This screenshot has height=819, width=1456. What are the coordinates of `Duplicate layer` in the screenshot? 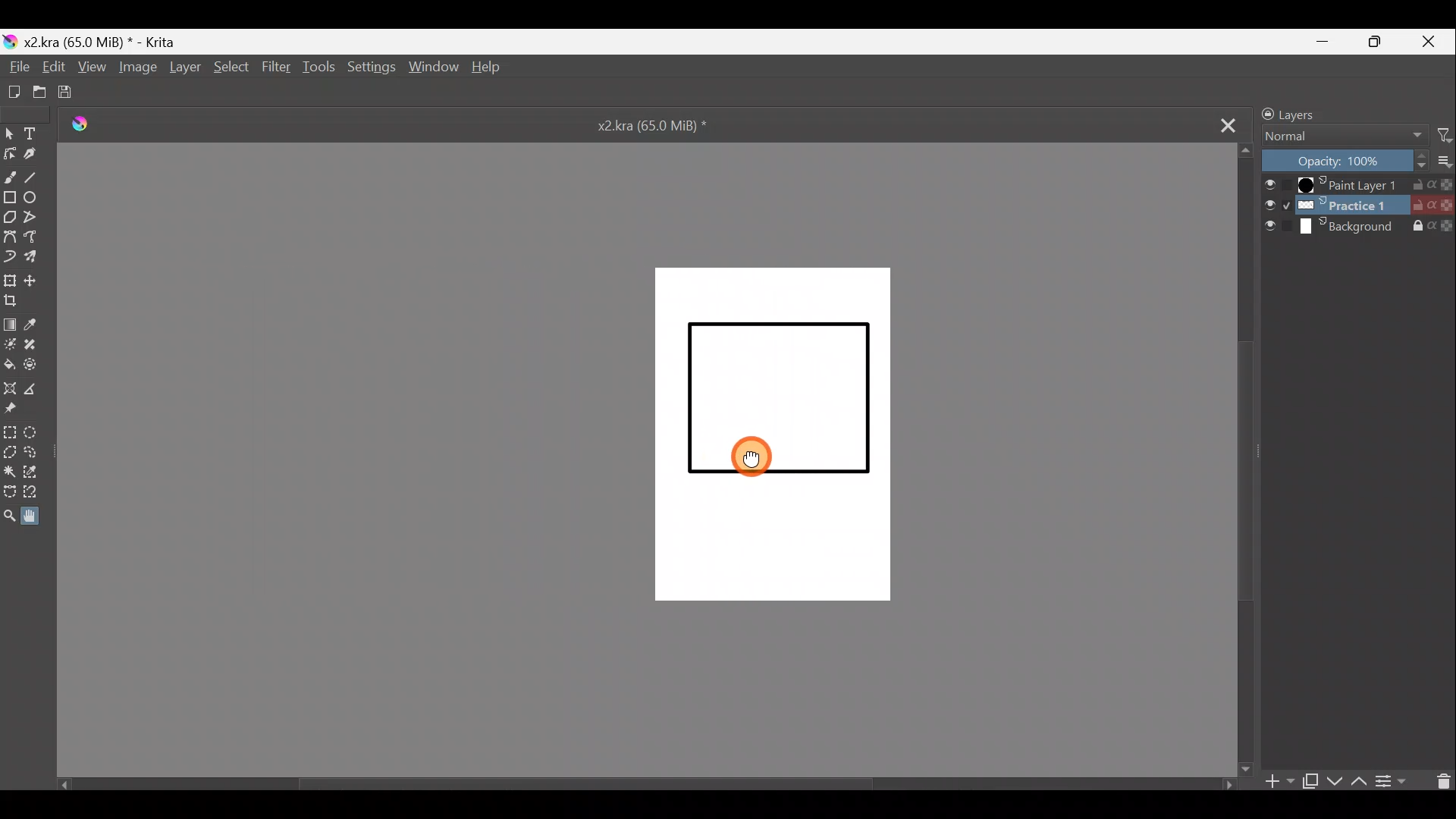 It's located at (1309, 780).